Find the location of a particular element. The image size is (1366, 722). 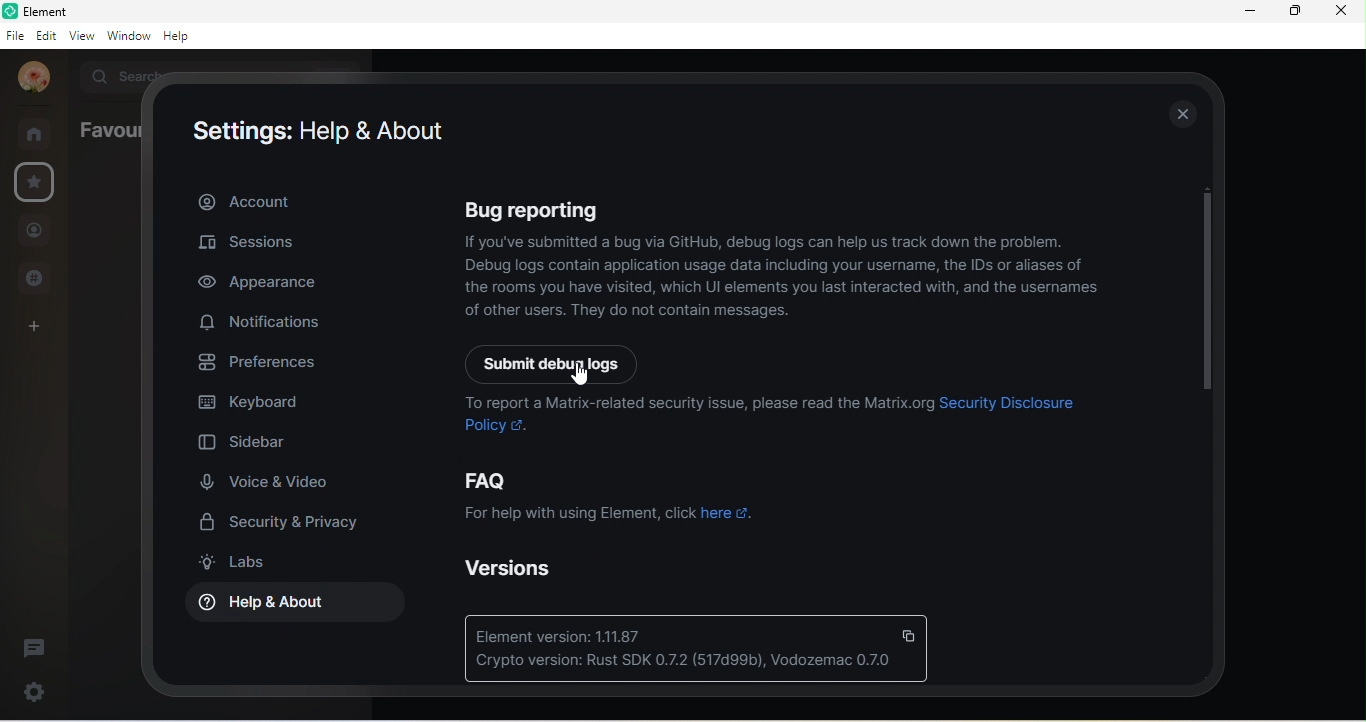

thread is located at coordinates (34, 647).